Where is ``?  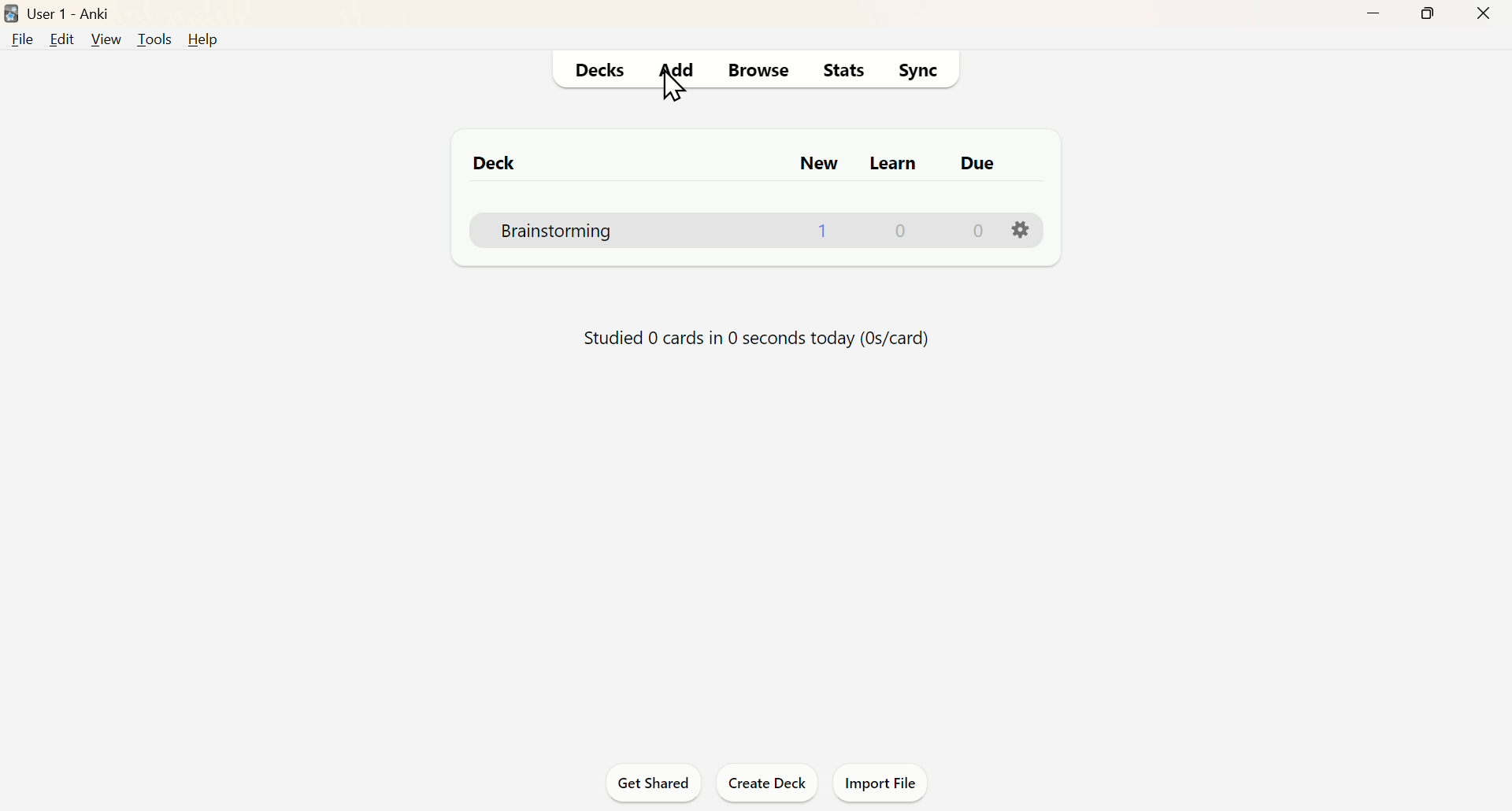  is located at coordinates (151, 36).